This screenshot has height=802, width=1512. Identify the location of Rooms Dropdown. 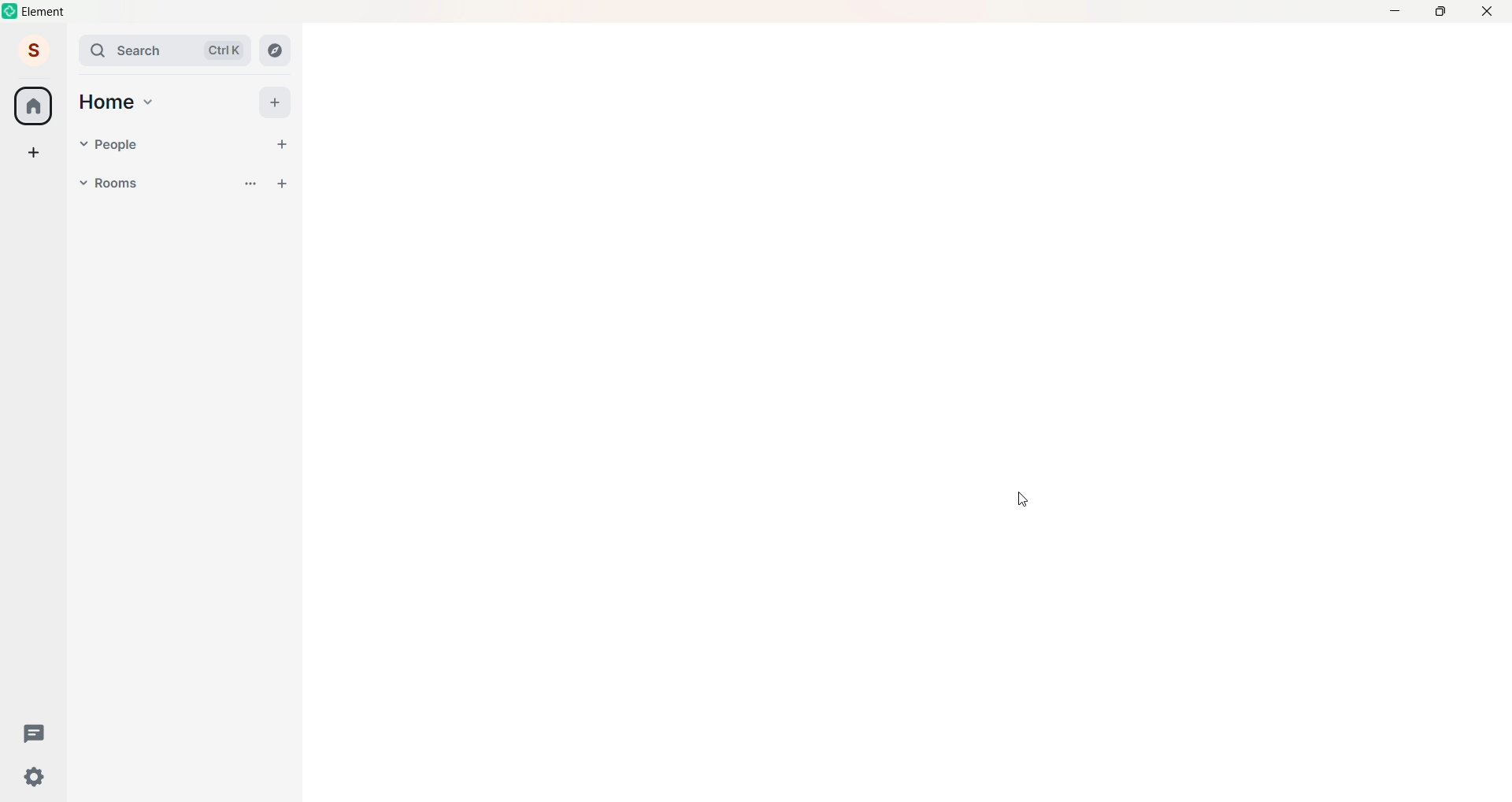
(82, 180).